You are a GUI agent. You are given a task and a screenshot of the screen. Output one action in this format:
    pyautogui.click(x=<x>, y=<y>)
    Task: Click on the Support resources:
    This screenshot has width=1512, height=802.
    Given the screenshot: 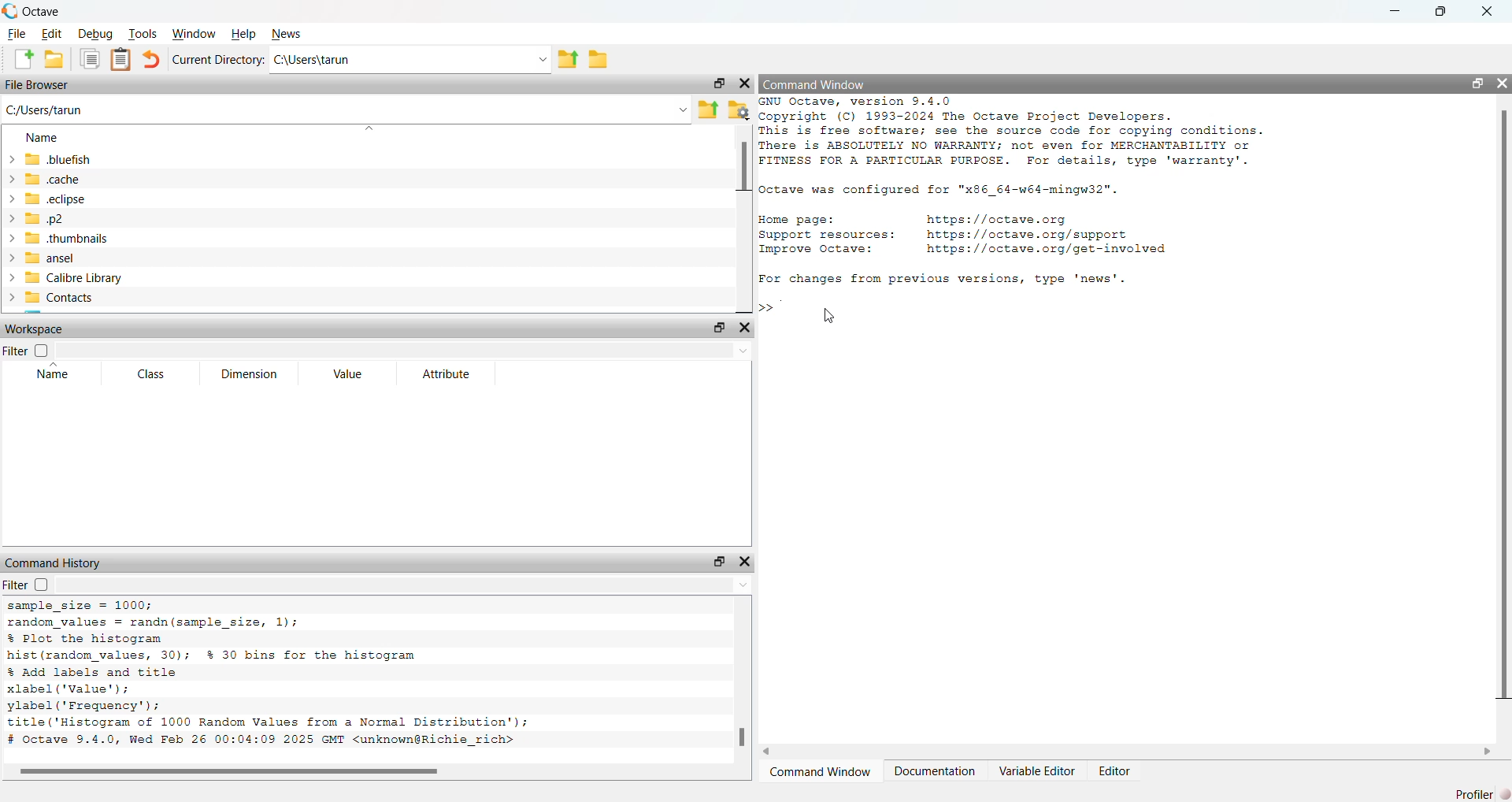 What is the action you would take?
    pyautogui.click(x=826, y=236)
    